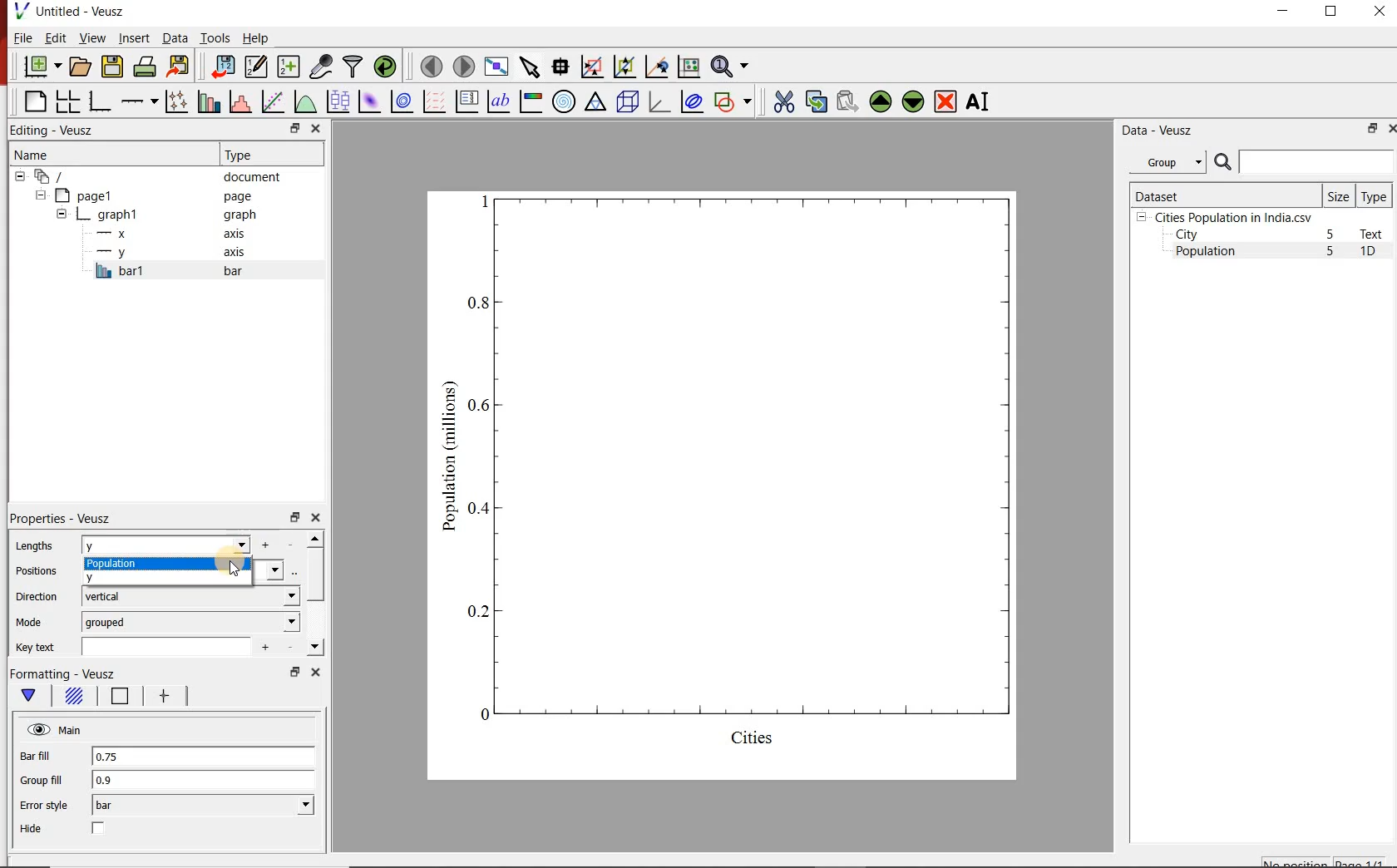 The width and height of the screenshot is (1397, 868). I want to click on close, so click(315, 518).